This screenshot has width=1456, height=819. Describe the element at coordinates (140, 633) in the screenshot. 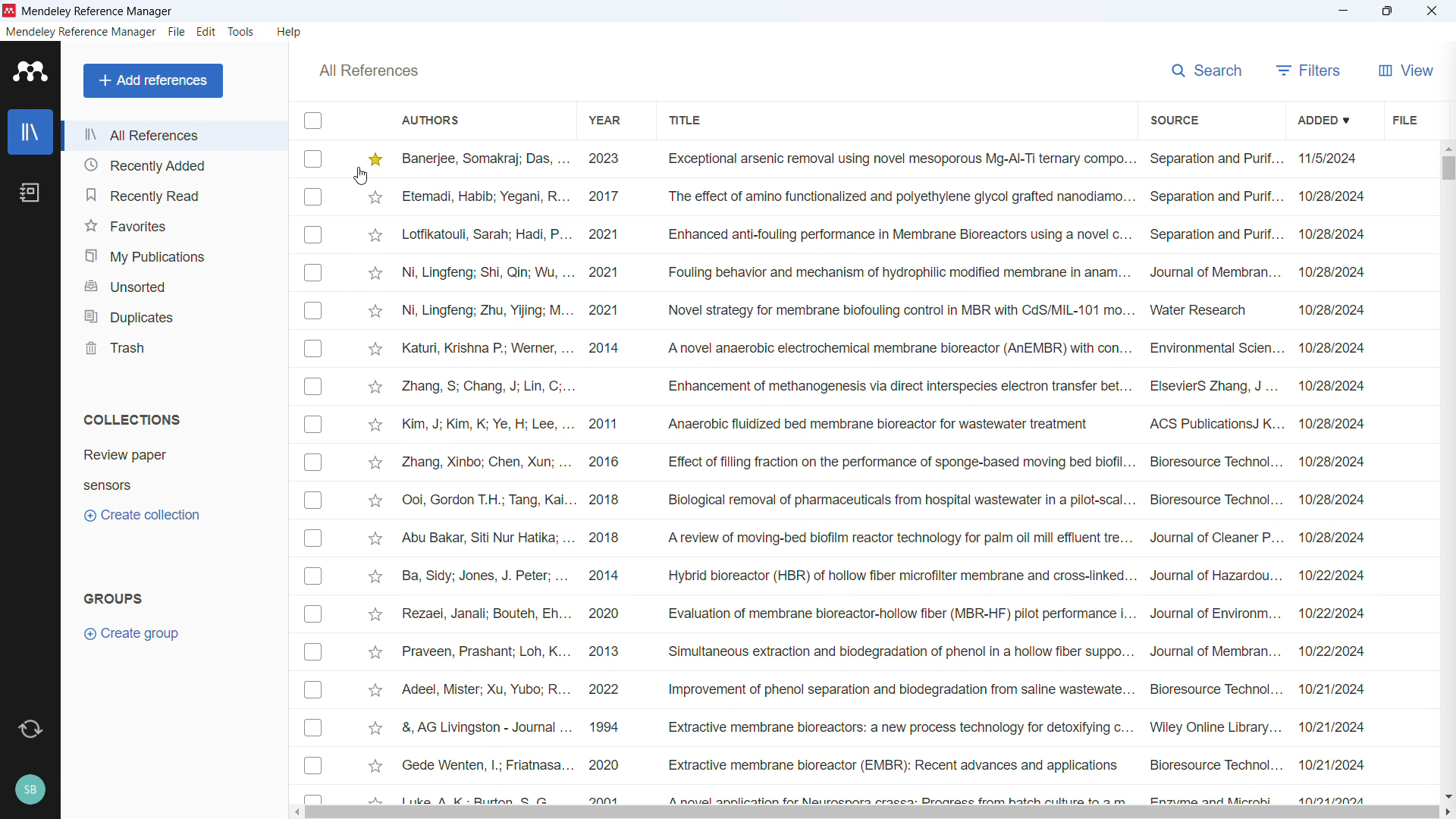

I see `Create group ` at that location.